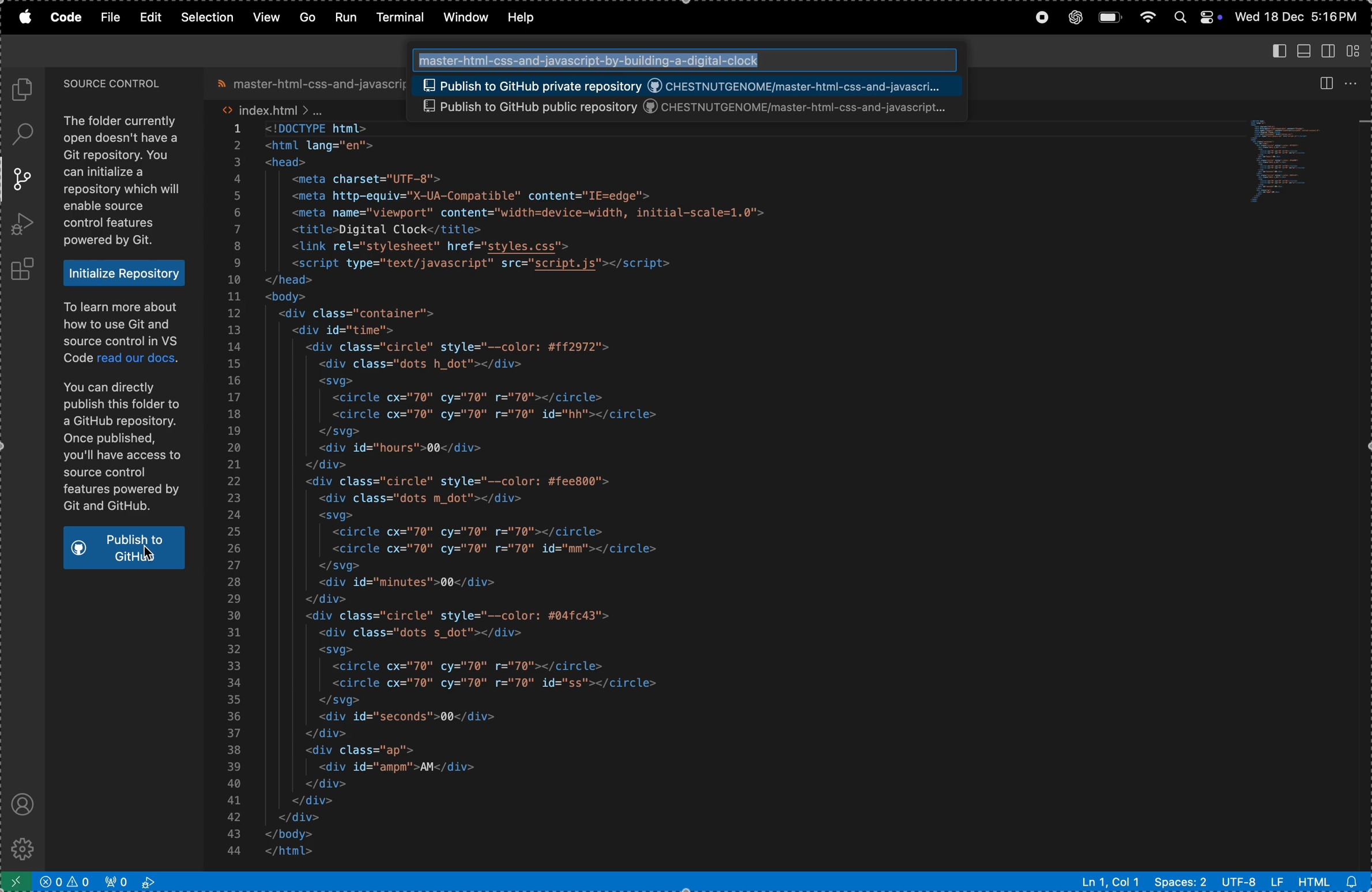 This screenshot has width=1372, height=892. What do you see at coordinates (336, 381) in the screenshot?
I see `<svg>` at bounding box center [336, 381].